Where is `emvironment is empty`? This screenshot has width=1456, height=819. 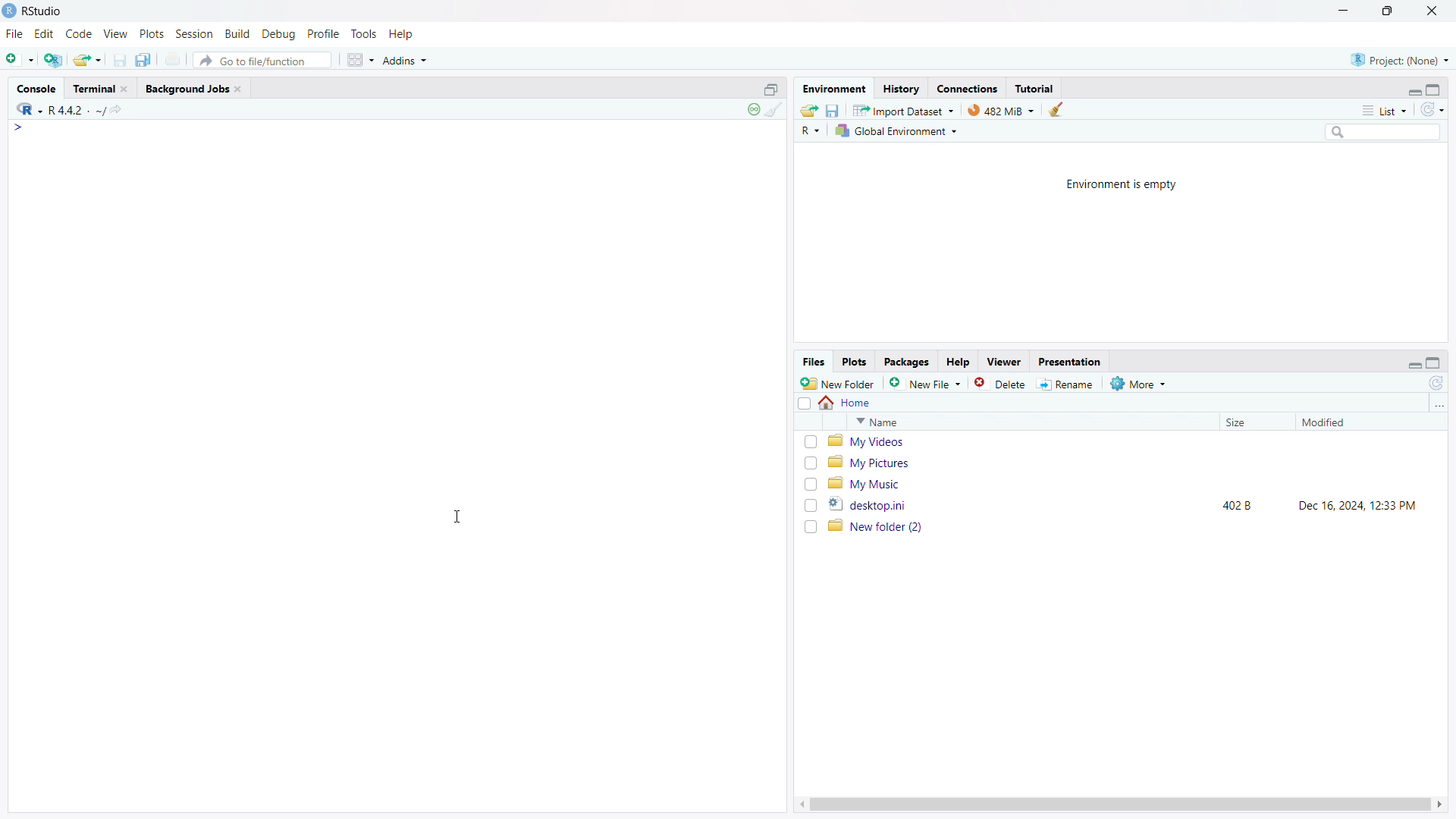 emvironment is empty is located at coordinates (1122, 185).